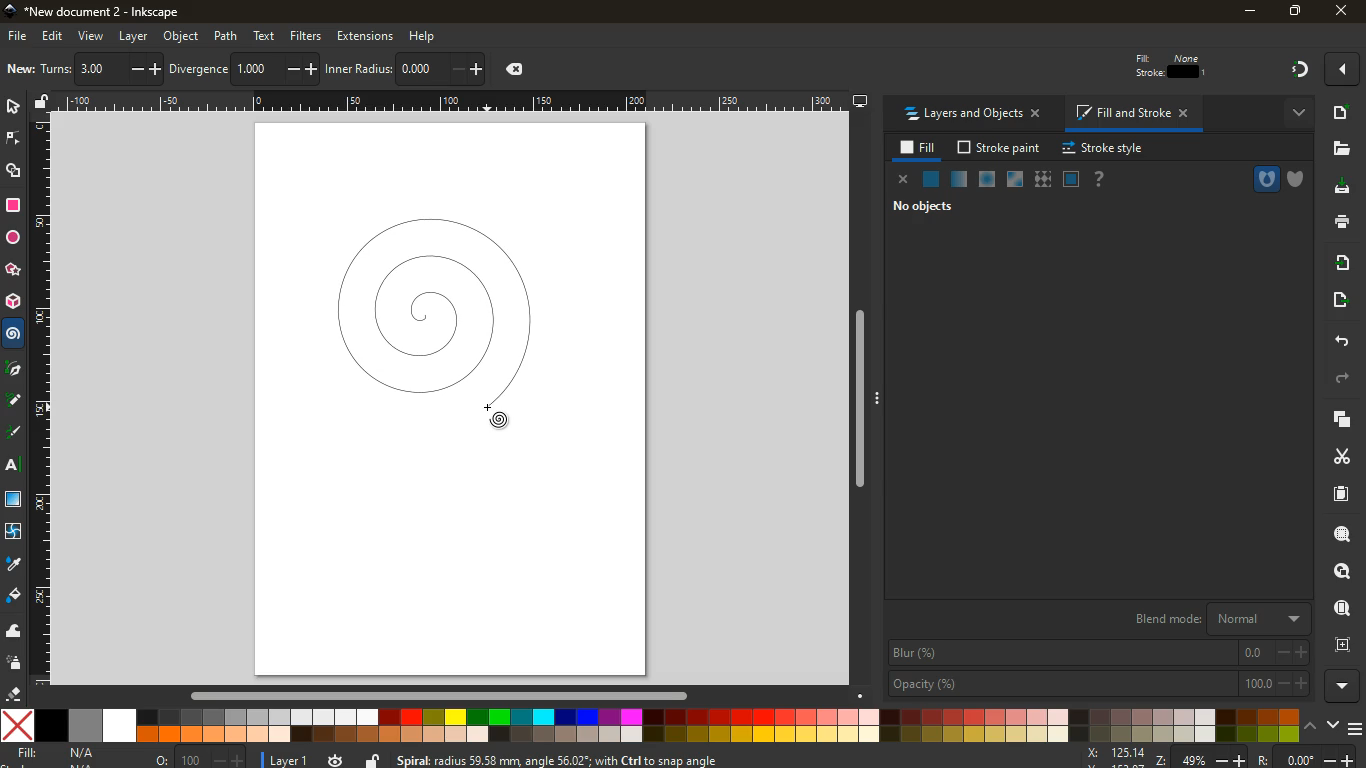 This screenshot has width=1366, height=768. I want to click on filters, so click(307, 34).